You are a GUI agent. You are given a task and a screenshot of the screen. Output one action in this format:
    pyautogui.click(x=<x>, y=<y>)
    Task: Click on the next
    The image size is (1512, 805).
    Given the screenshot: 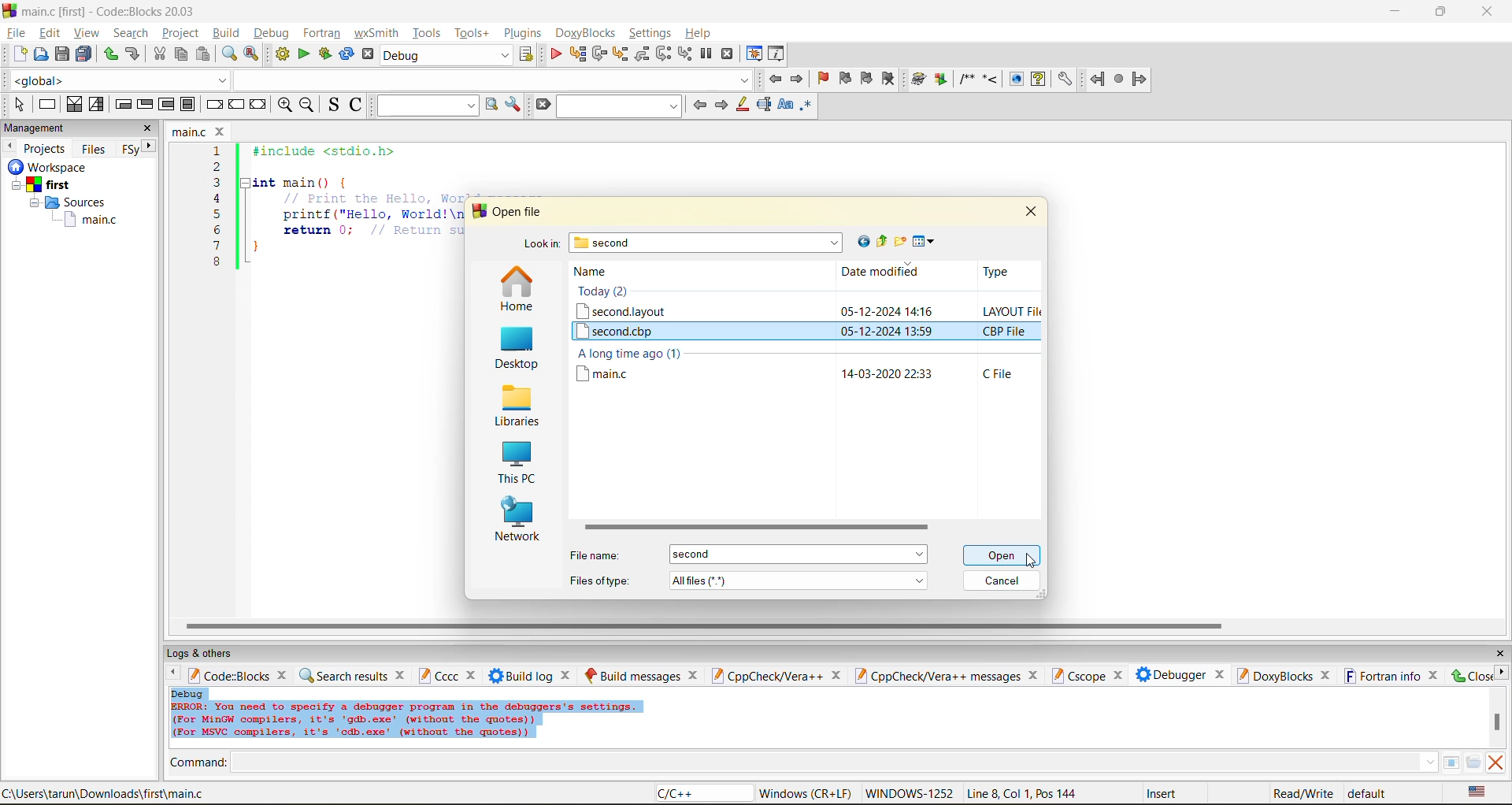 What is the action you would take?
    pyautogui.click(x=150, y=146)
    